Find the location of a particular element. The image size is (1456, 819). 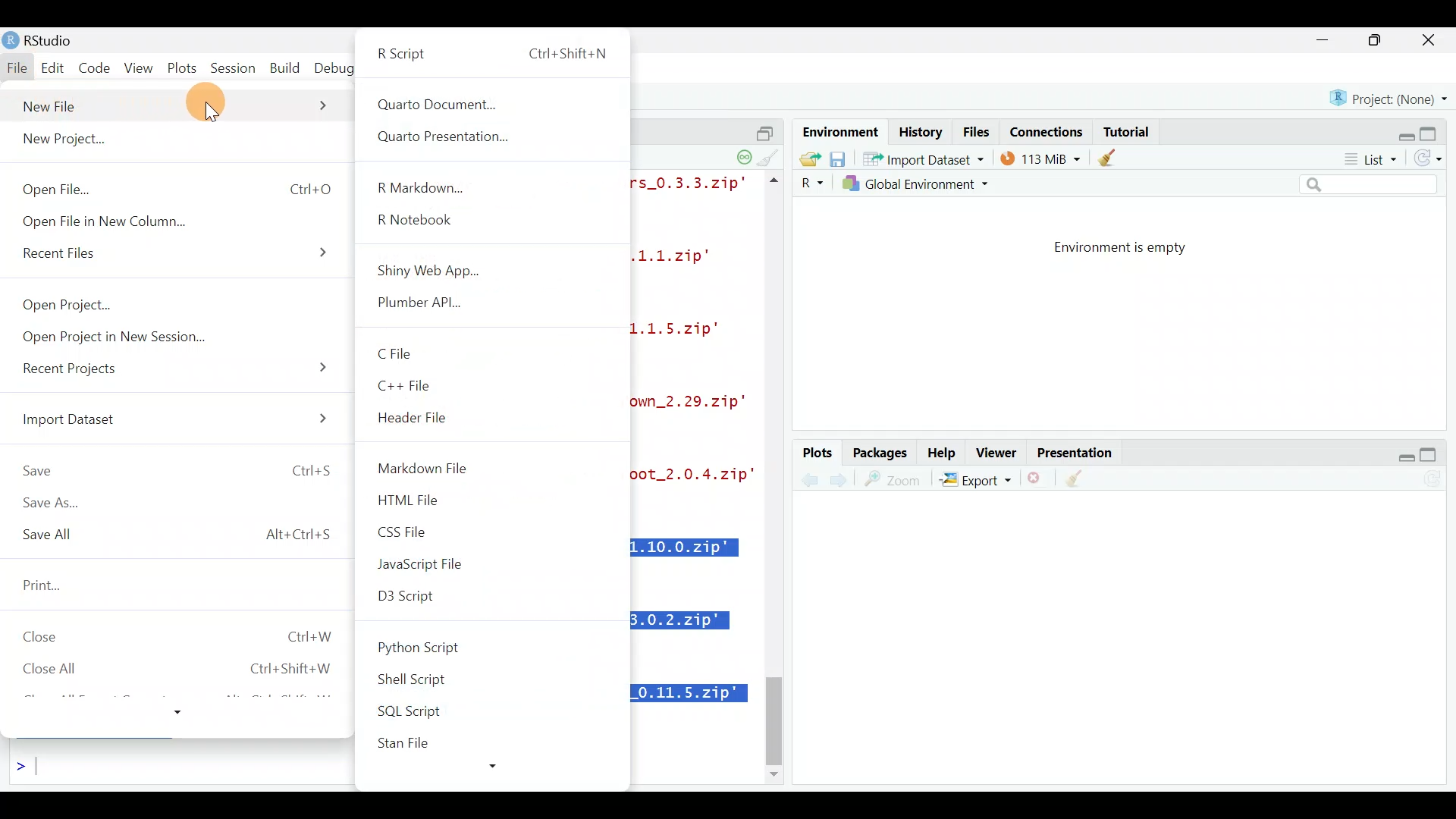

Tutorial is located at coordinates (1125, 129).